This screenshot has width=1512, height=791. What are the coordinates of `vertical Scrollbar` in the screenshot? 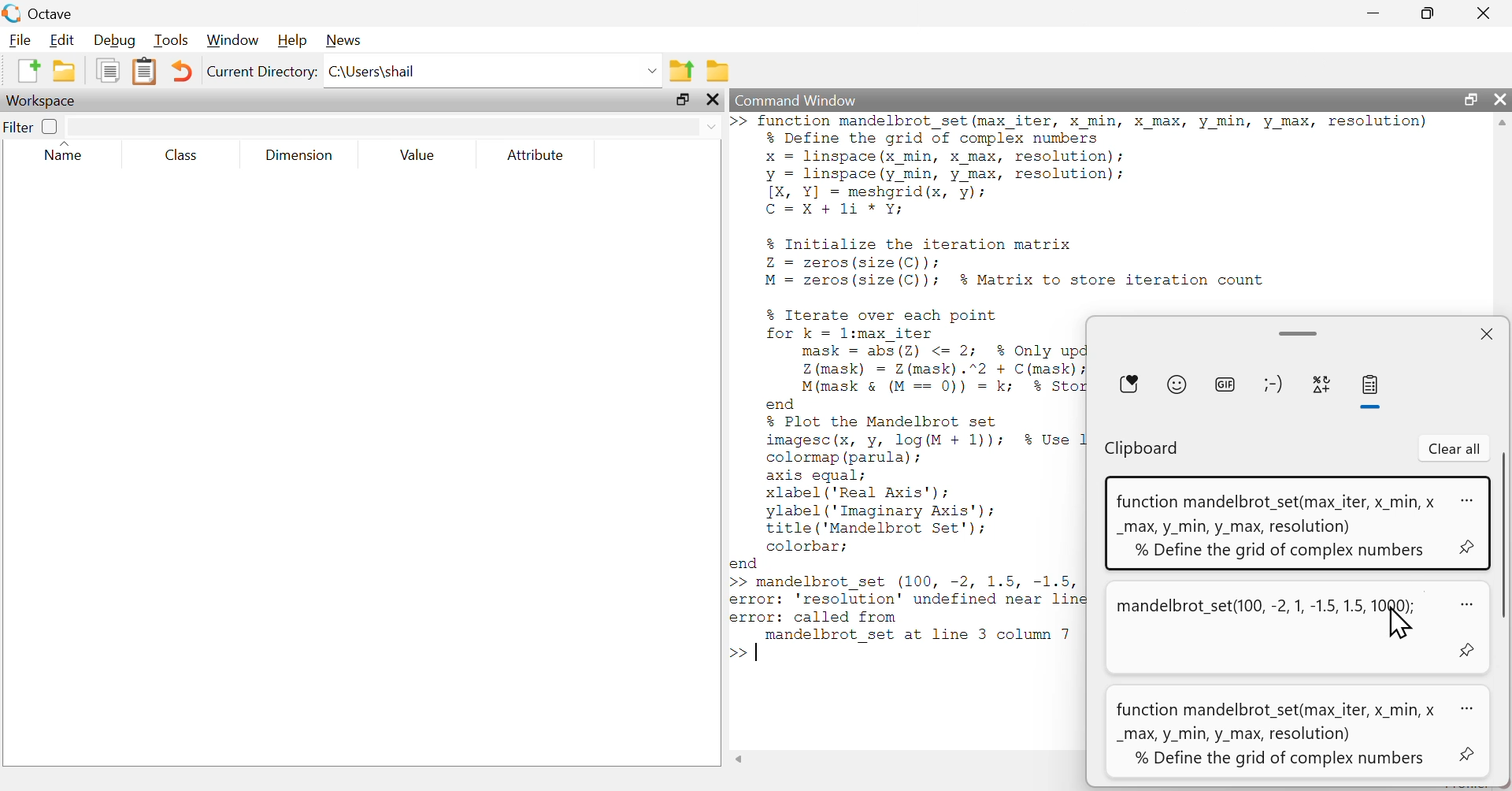 It's located at (1503, 537).